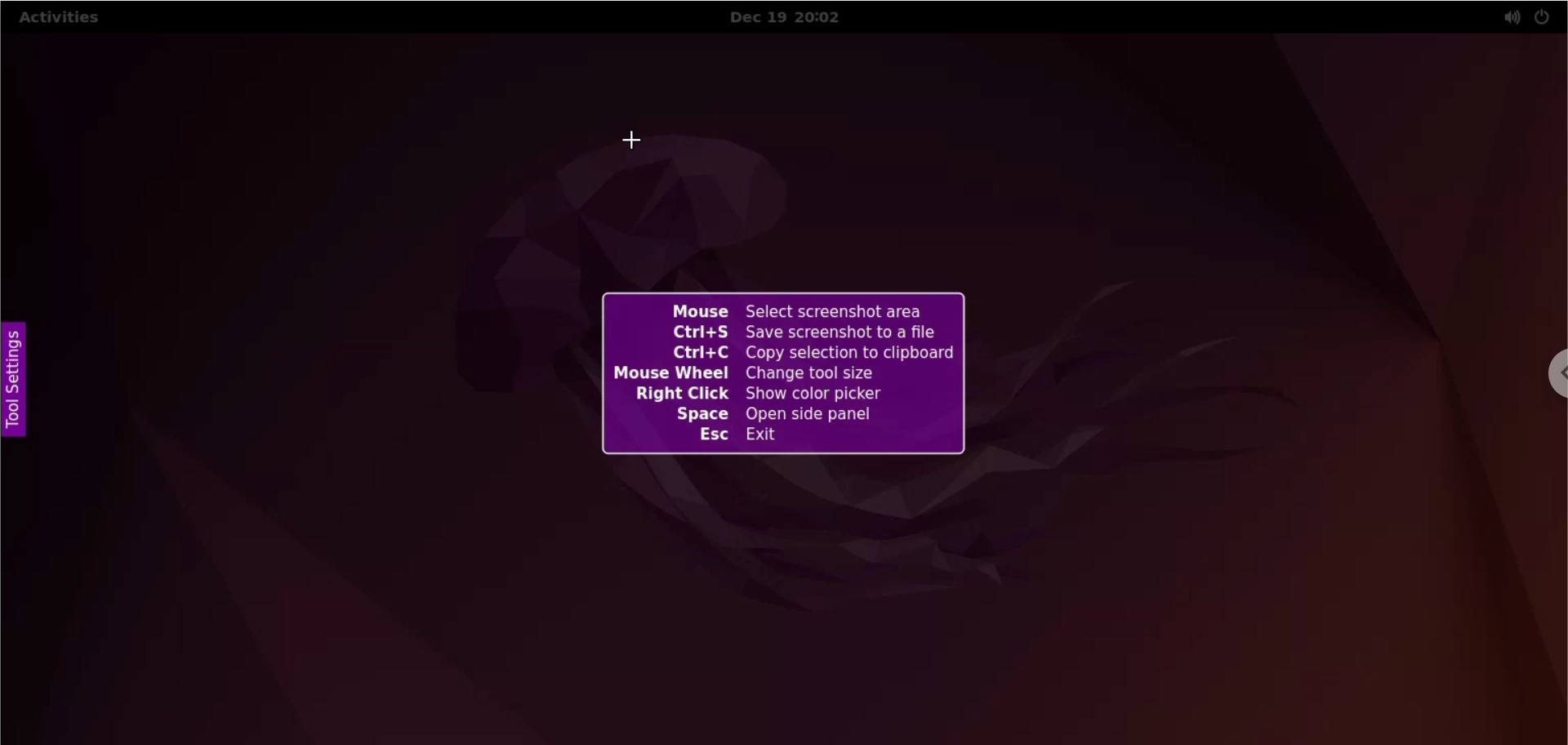 The image size is (1568, 745). Describe the element at coordinates (1542, 18) in the screenshot. I see `power settings` at that location.